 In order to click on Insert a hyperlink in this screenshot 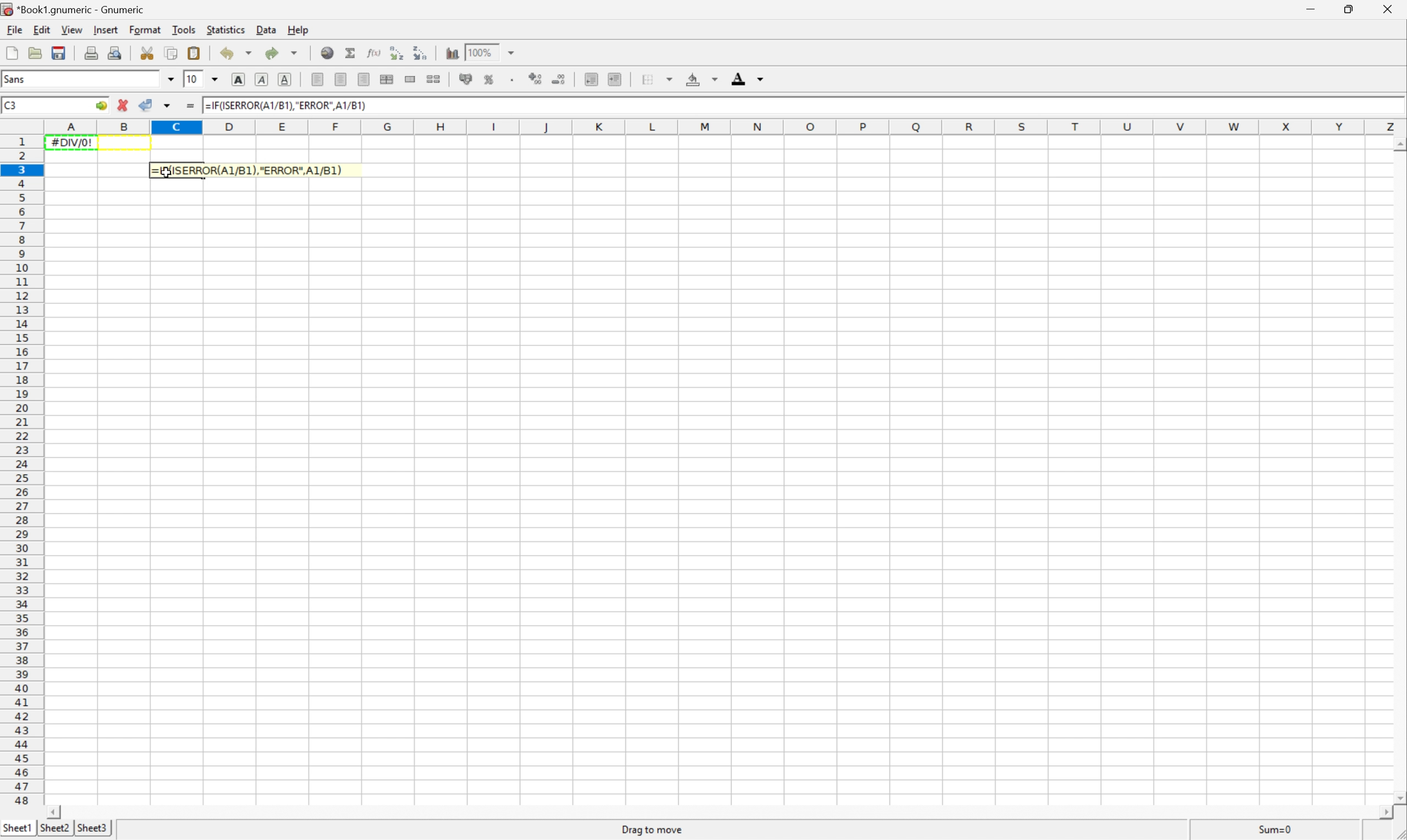, I will do `click(327, 53)`.